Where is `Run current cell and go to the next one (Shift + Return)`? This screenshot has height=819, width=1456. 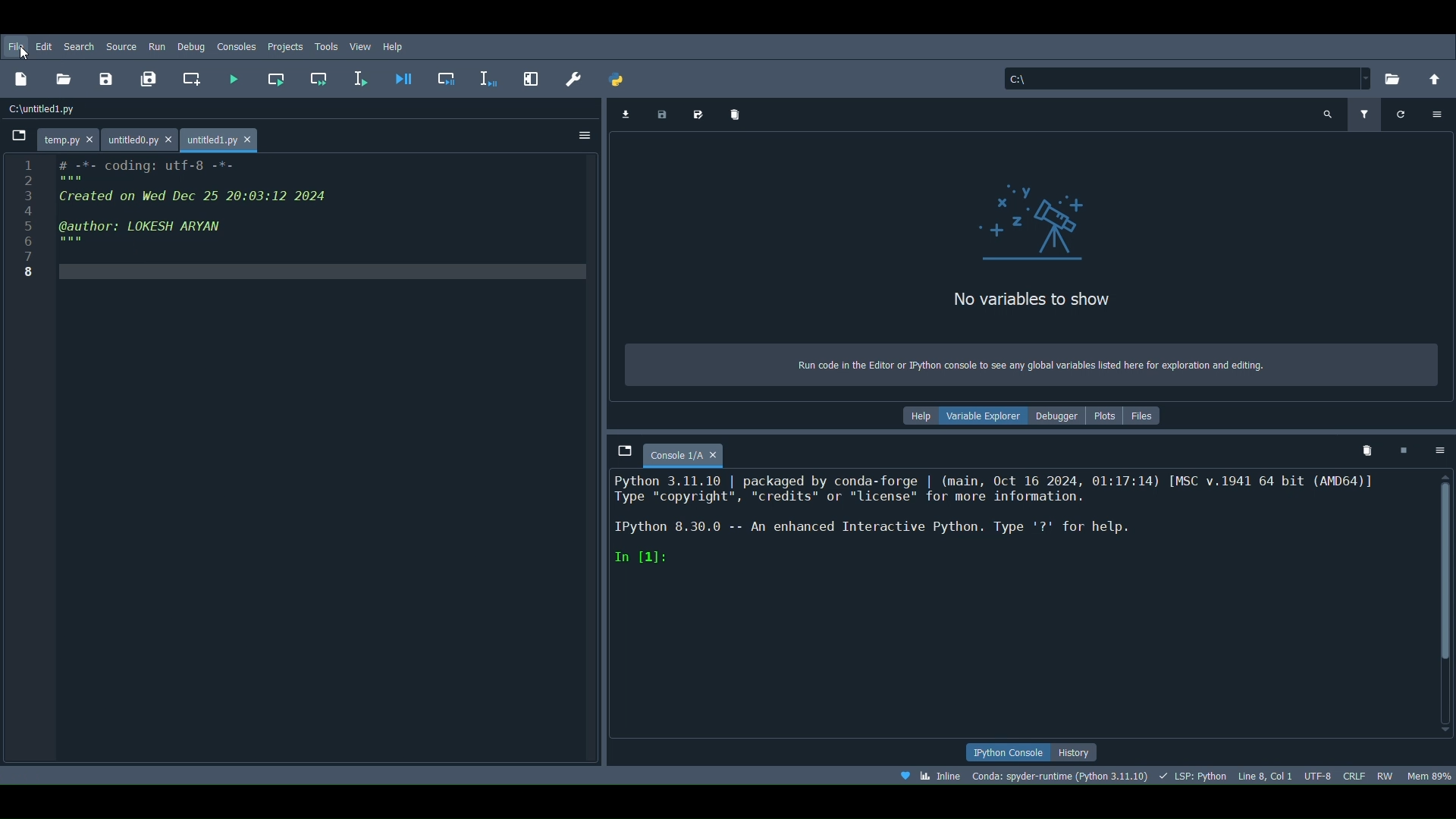
Run current cell and go to the next one (Shift + Return) is located at coordinates (322, 78).